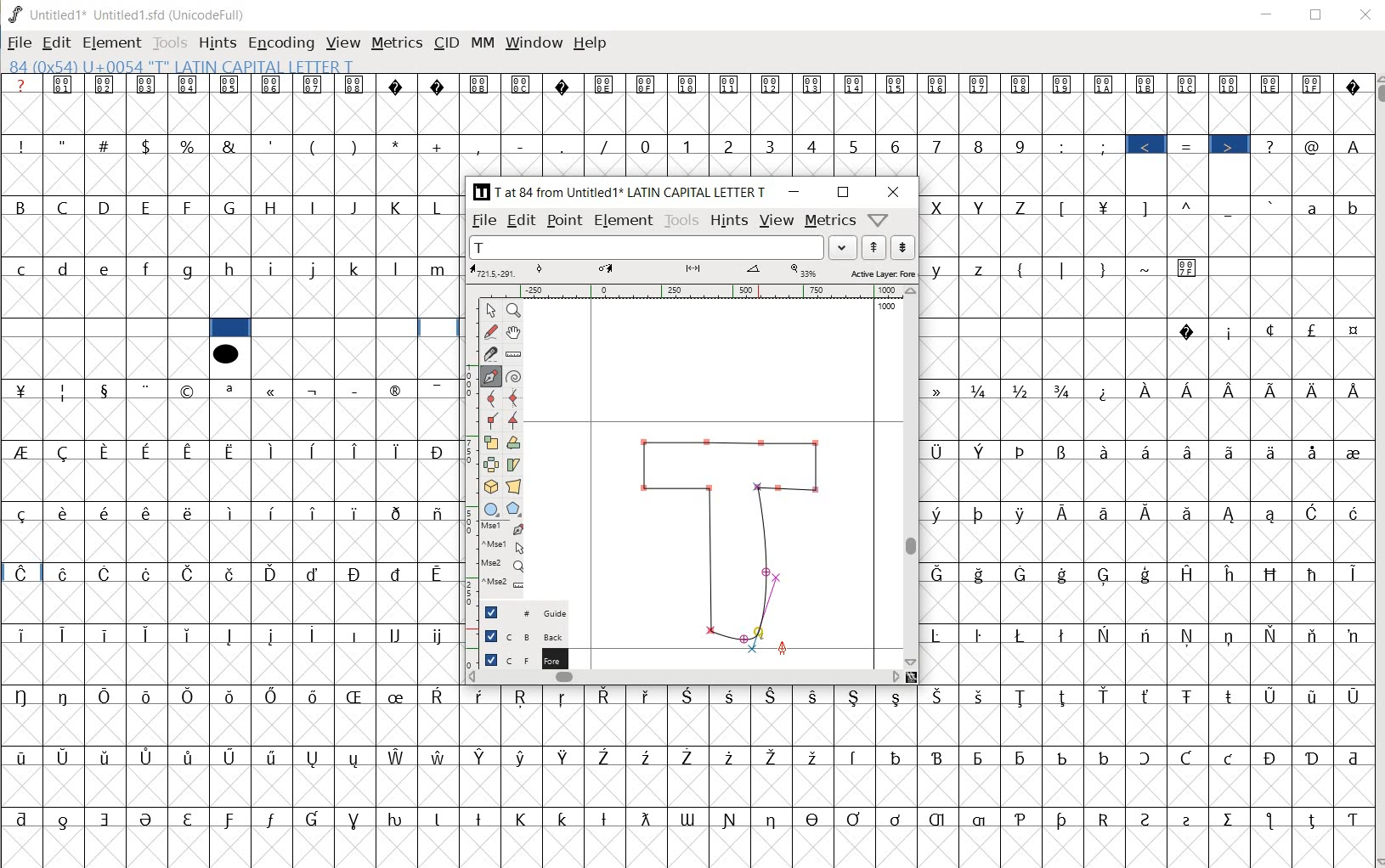 The image size is (1385, 868). What do you see at coordinates (1351, 86) in the screenshot?
I see `Symbol` at bounding box center [1351, 86].